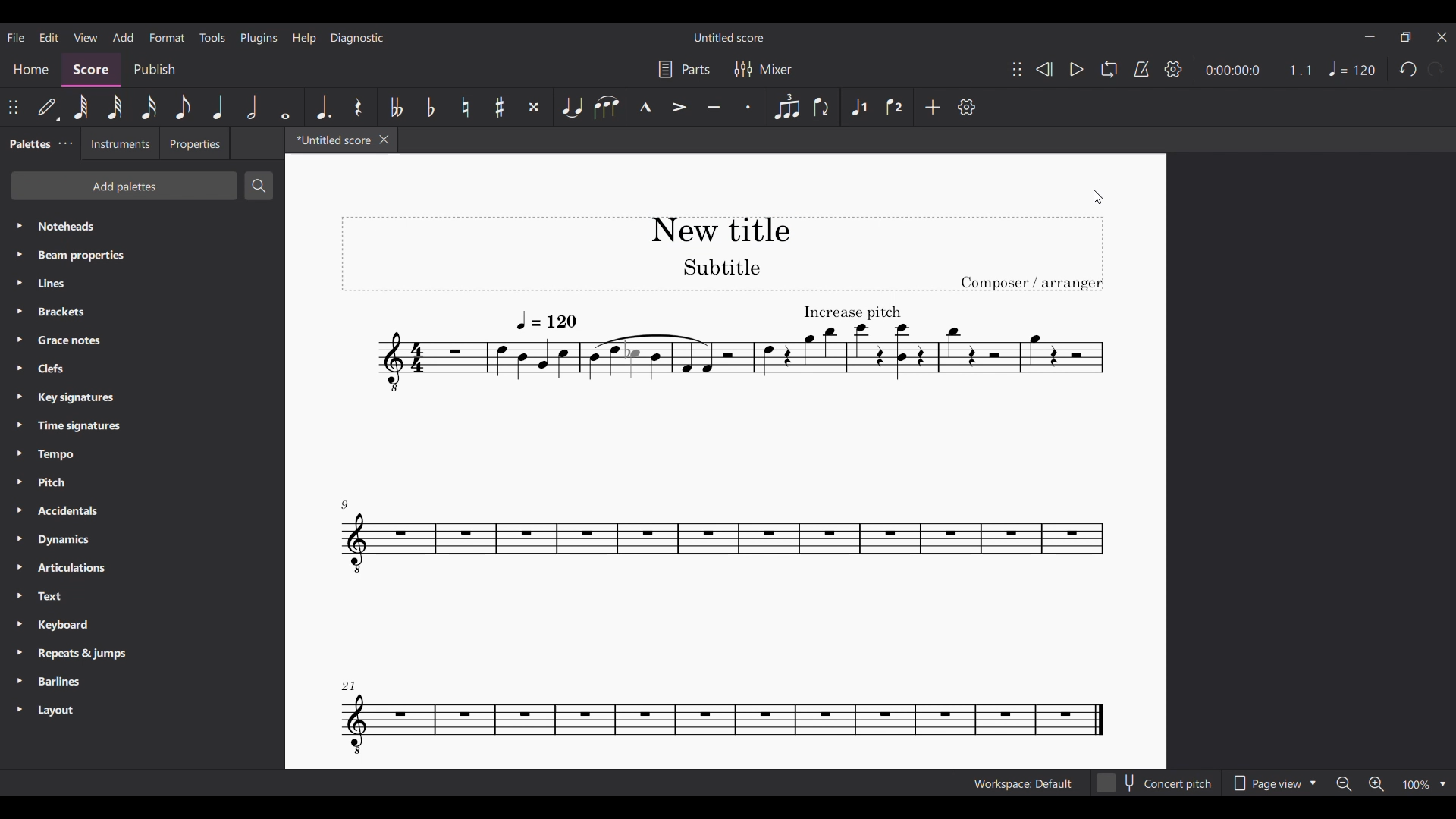 The width and height of the screenshot is (1456, 819). I want to click on Marcato, so click(645, 107).